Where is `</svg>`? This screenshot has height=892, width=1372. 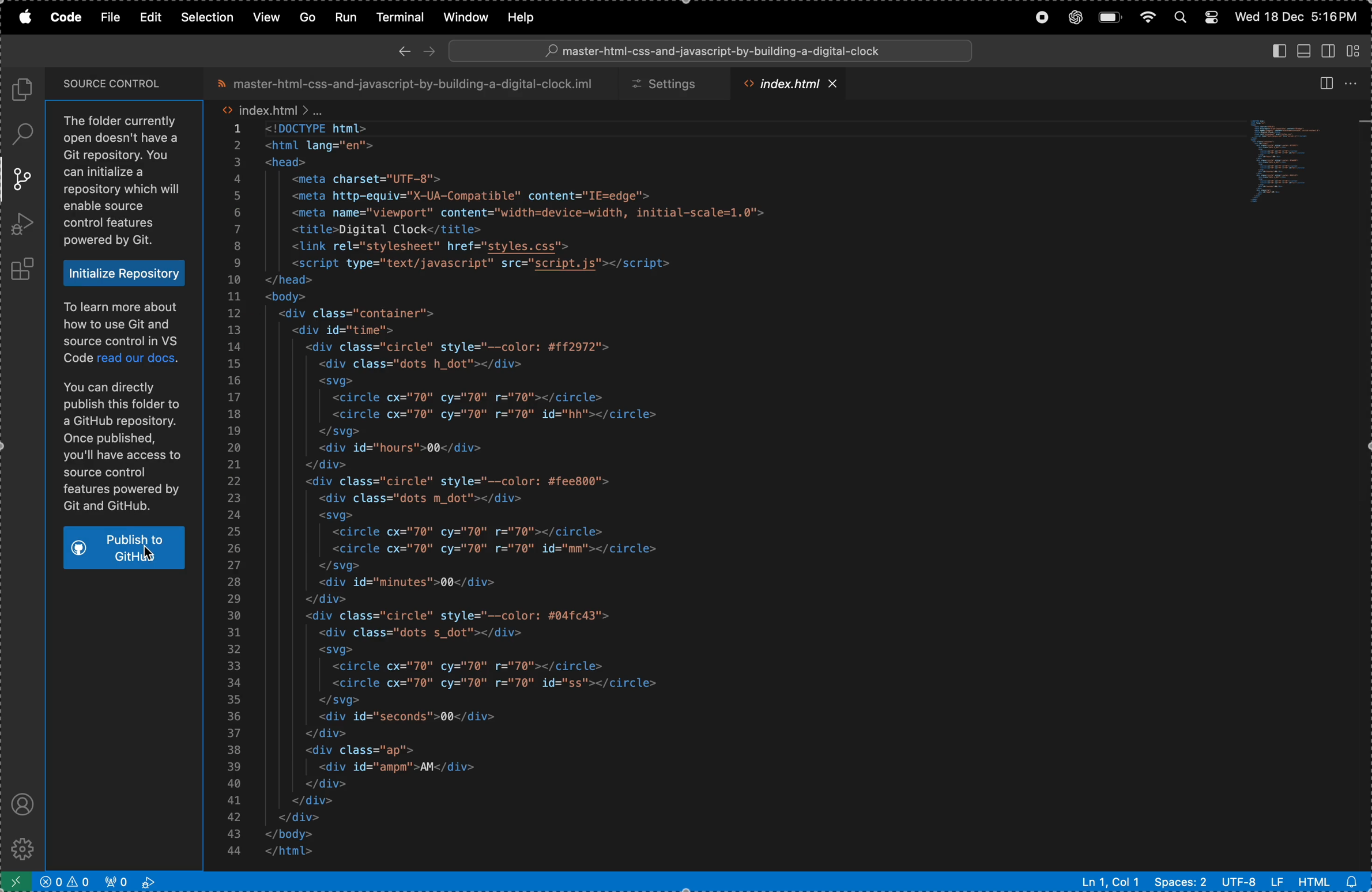 </svg> is located at coordinates (342, 700).